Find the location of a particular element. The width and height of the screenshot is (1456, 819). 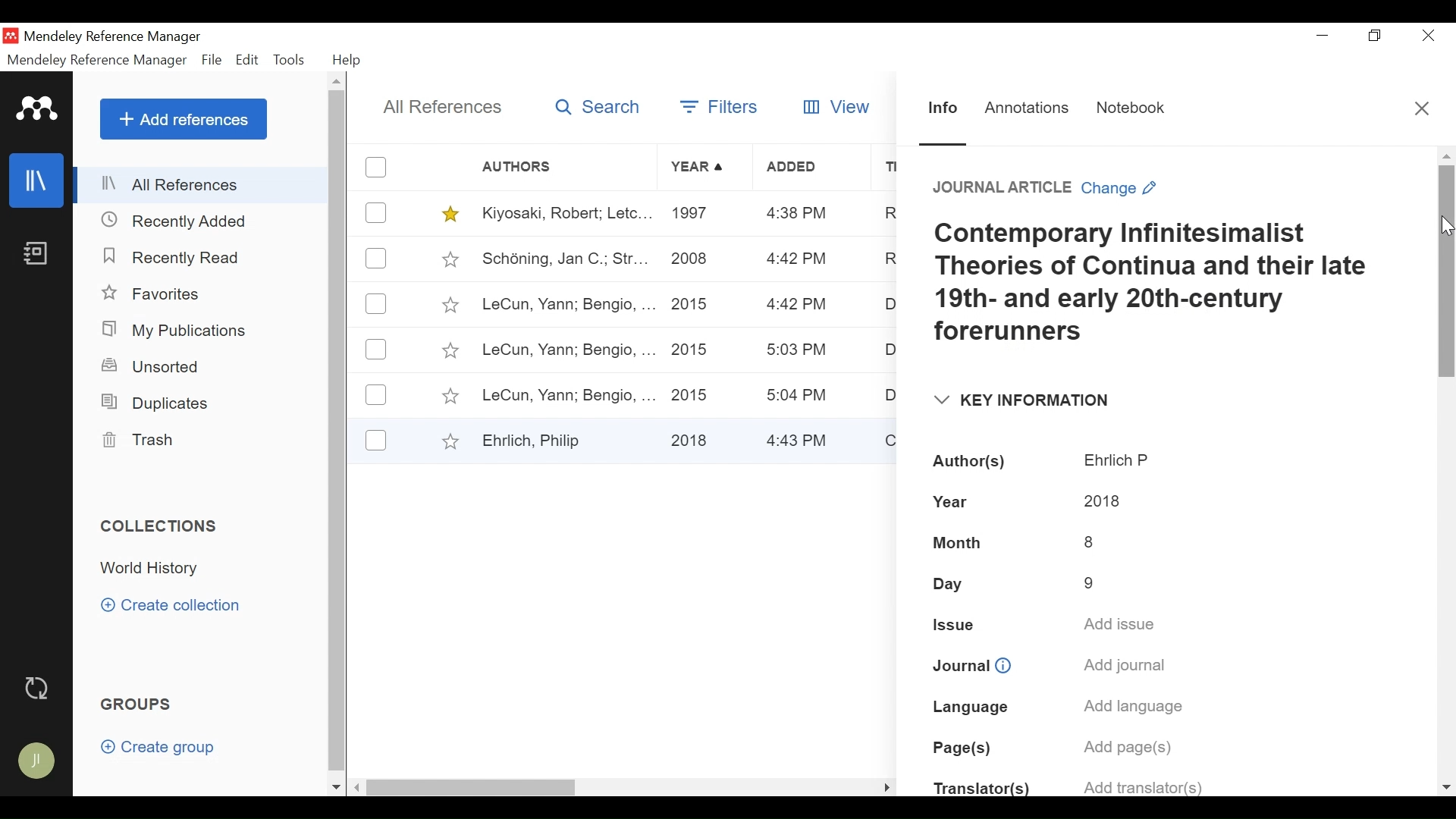

4:42 PM is located at coordinates (794, 306).